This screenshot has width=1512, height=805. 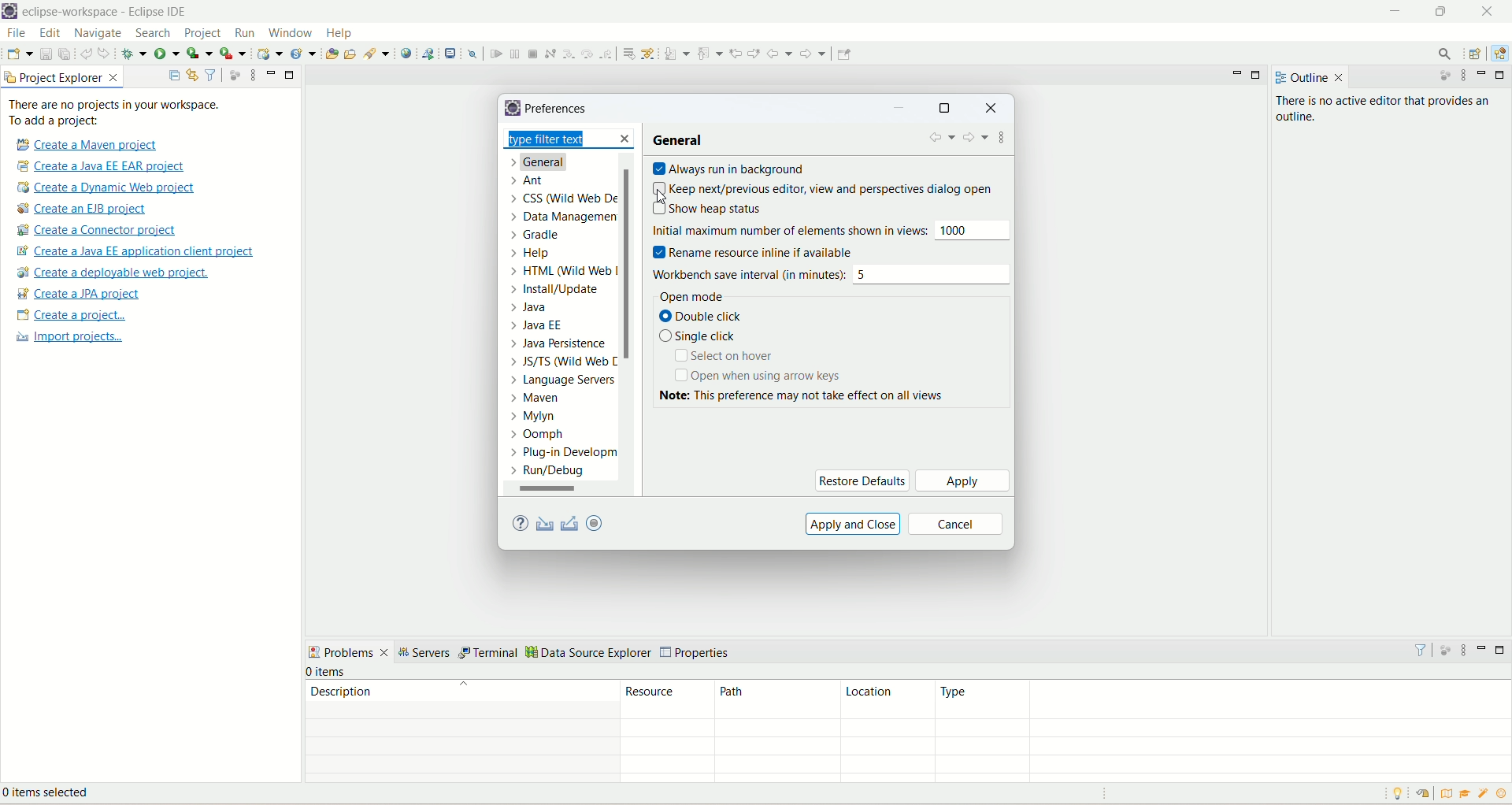 I want to click on Note: This preference may not take effect on all views, so click(x=820, y=395).